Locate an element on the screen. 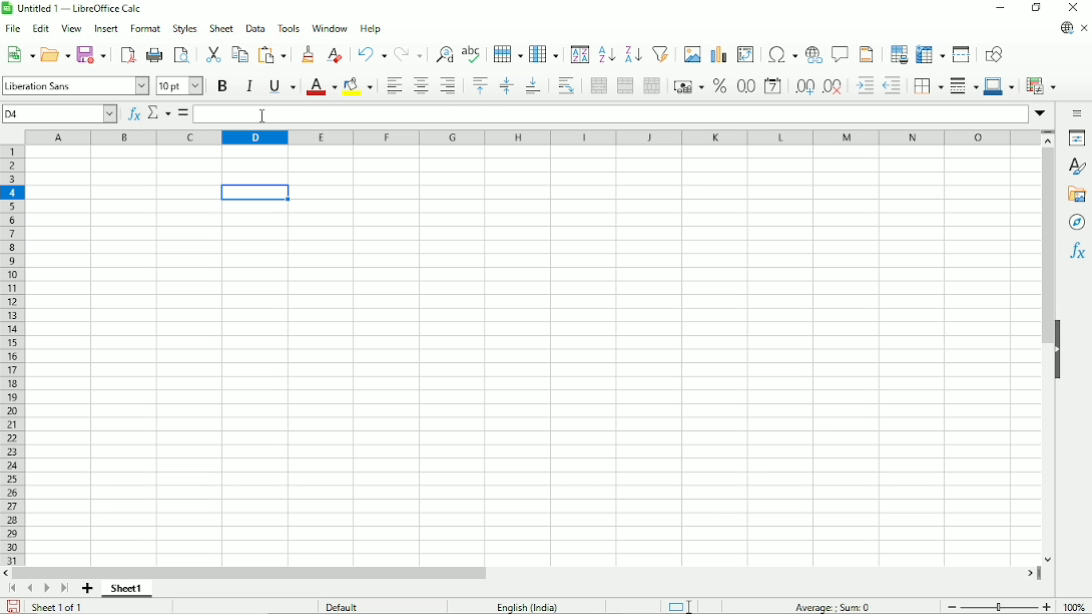  Freeze rows and columns is located at coordinates (932, 54).